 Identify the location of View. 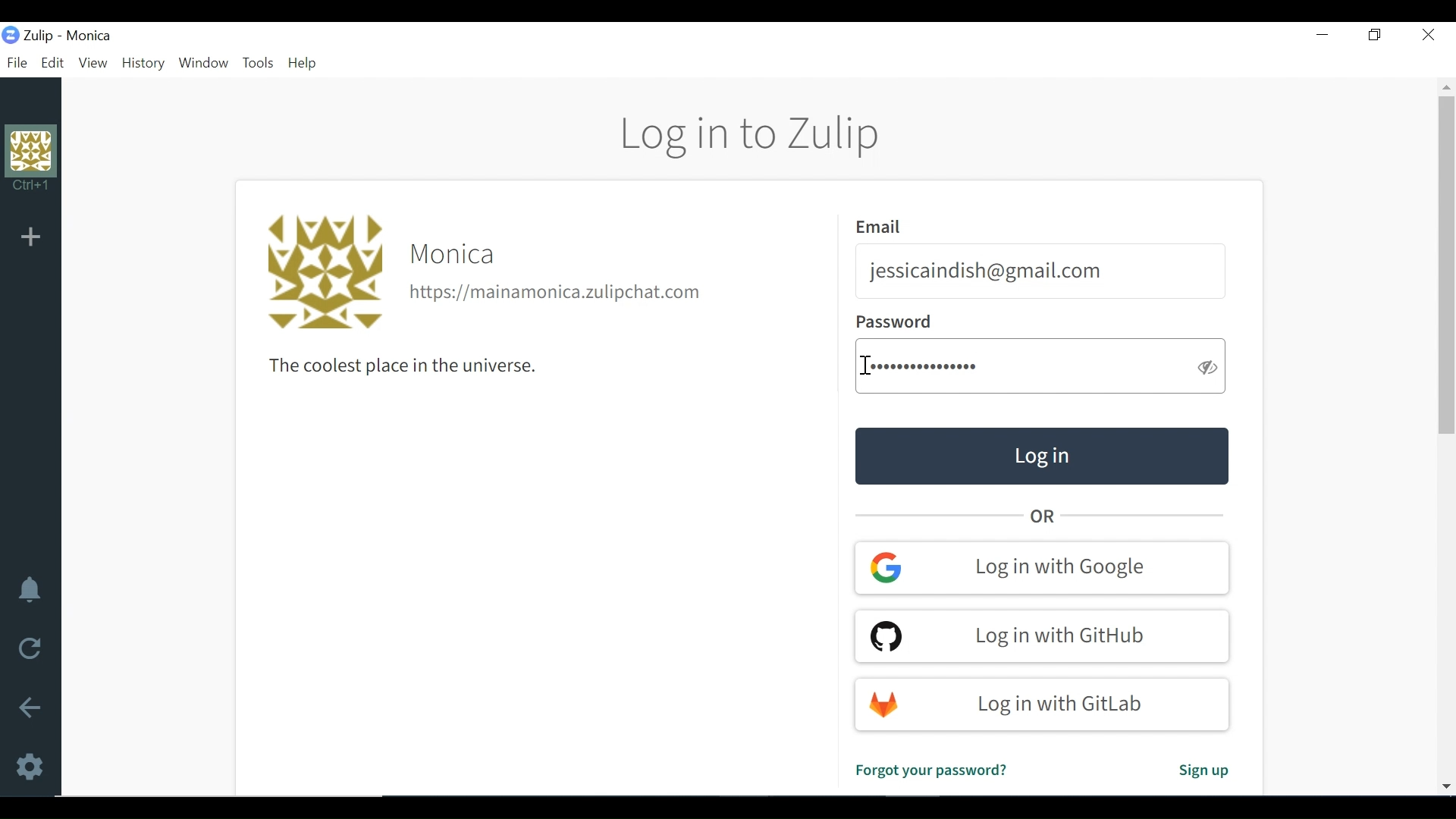
(93, 63).